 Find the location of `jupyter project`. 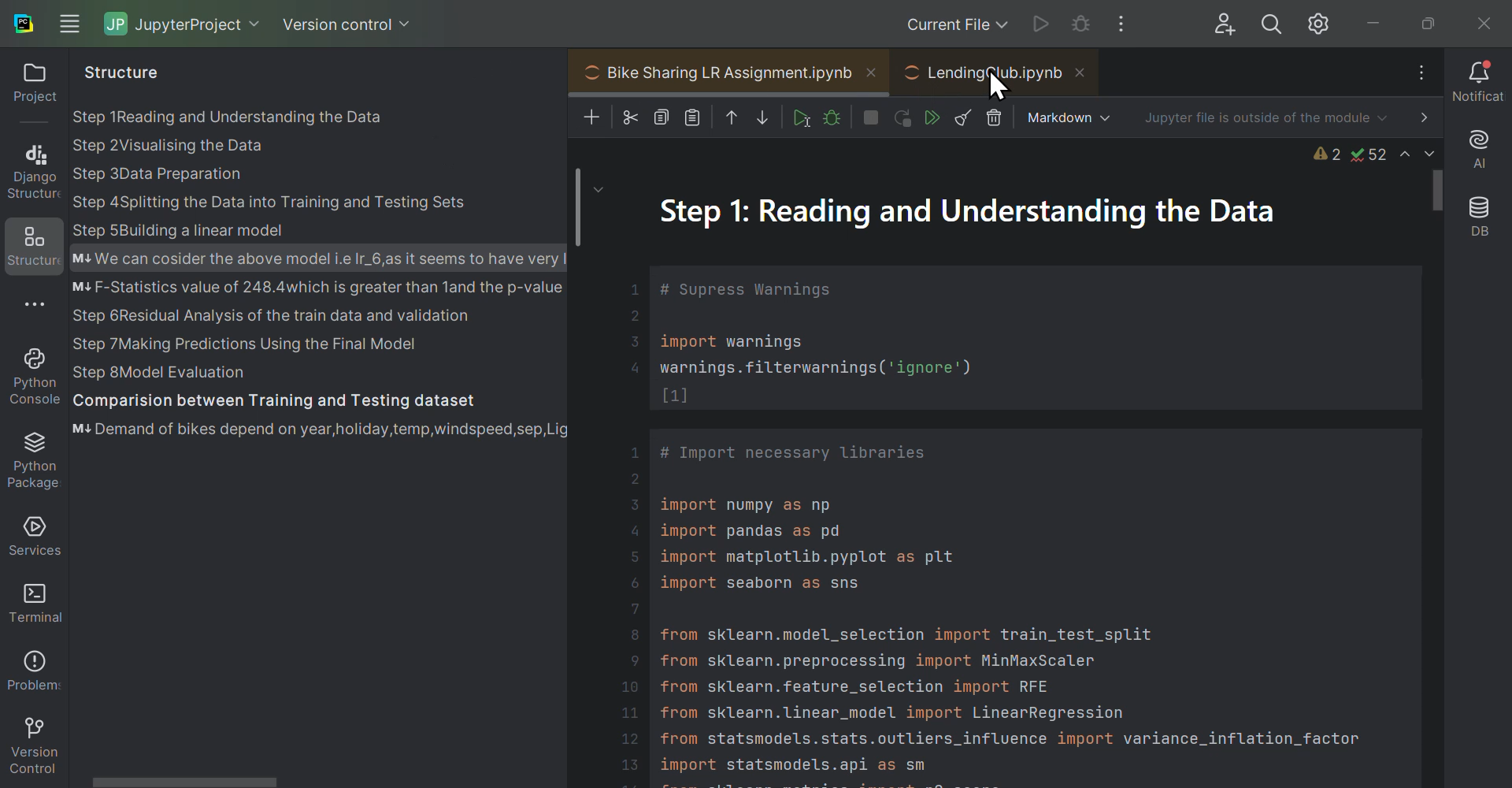

jupyter project is located at coordinates (187, 24).